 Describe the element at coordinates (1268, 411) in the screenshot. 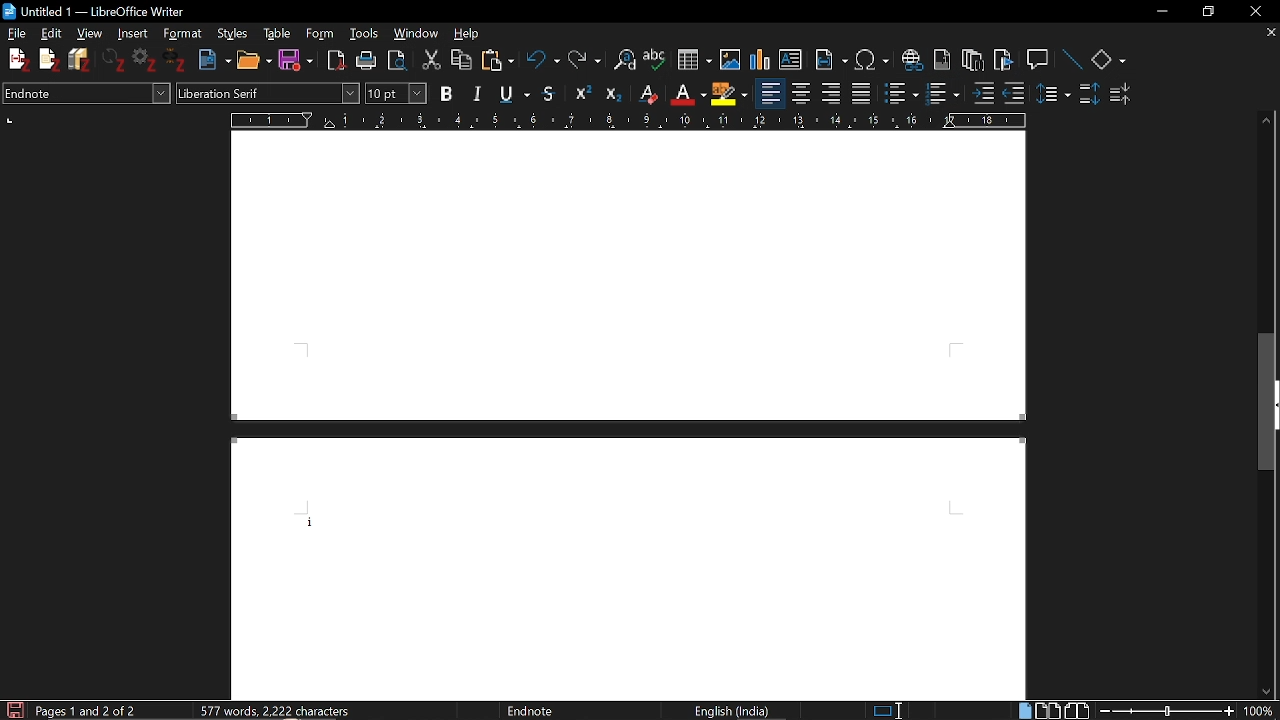

I see `Vertical scrollbar` at that location.